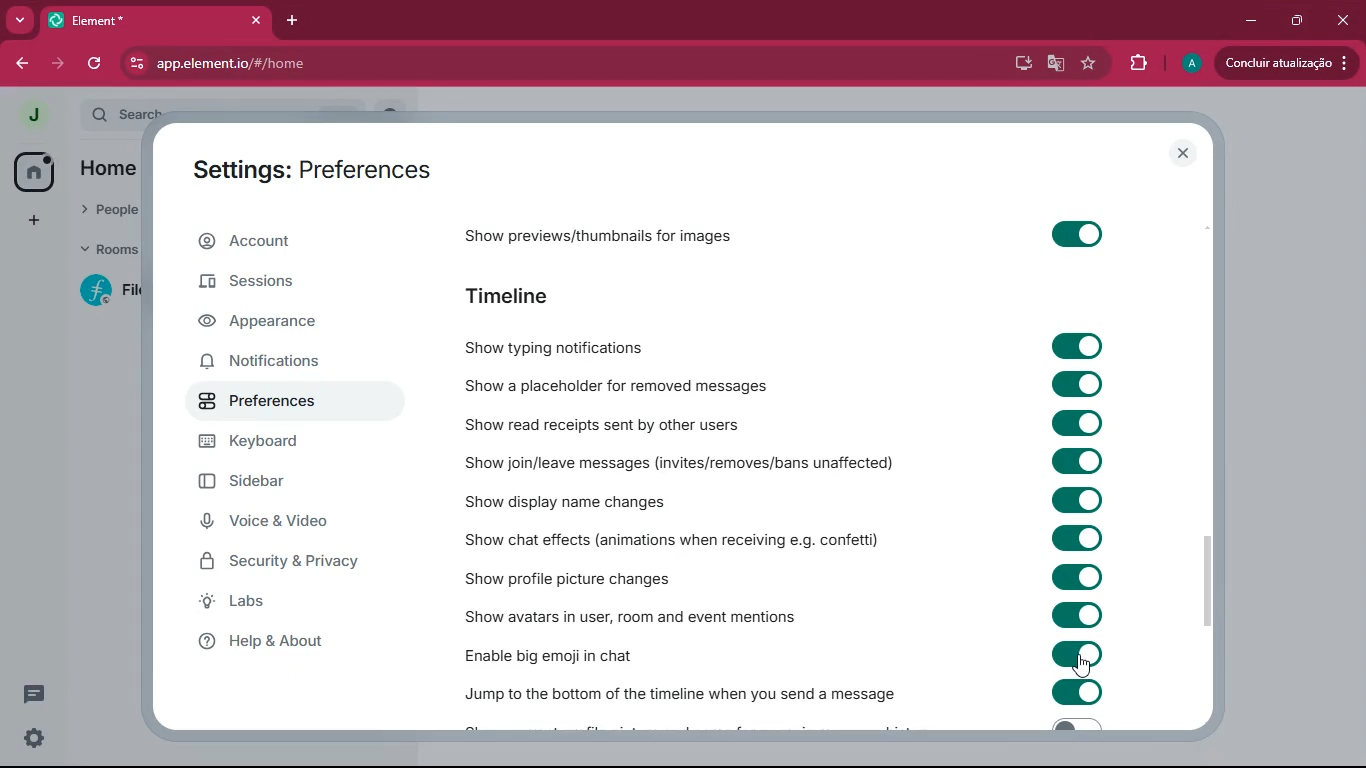 This screenshot has width=1366, height=768. Describe the element at coordinates (1191, 63) in the screenshot. I see `a` at that location.